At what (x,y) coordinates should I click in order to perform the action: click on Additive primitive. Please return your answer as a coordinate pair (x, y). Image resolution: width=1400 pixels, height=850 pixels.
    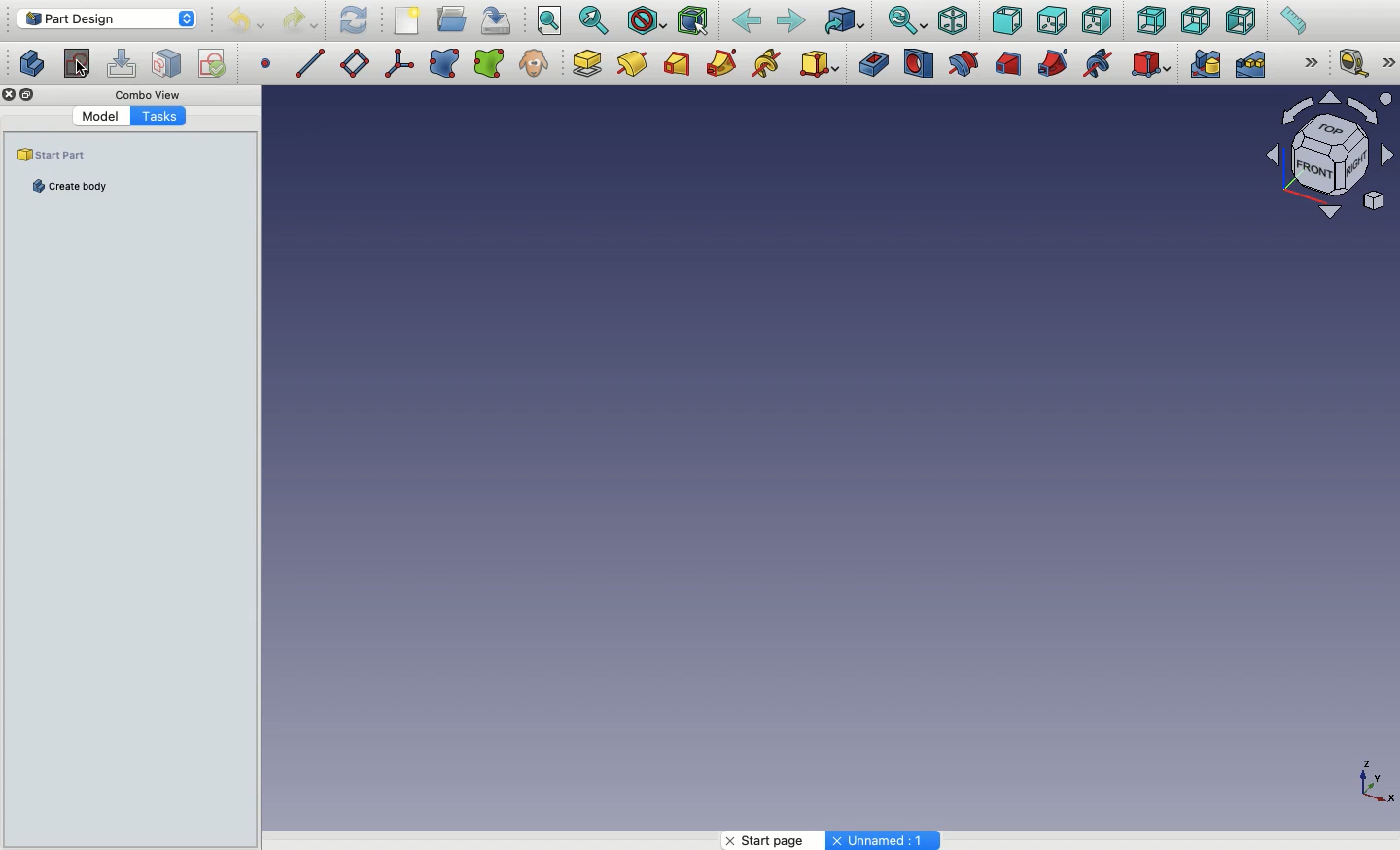
    Looking at the image, I should click on (822, 66).